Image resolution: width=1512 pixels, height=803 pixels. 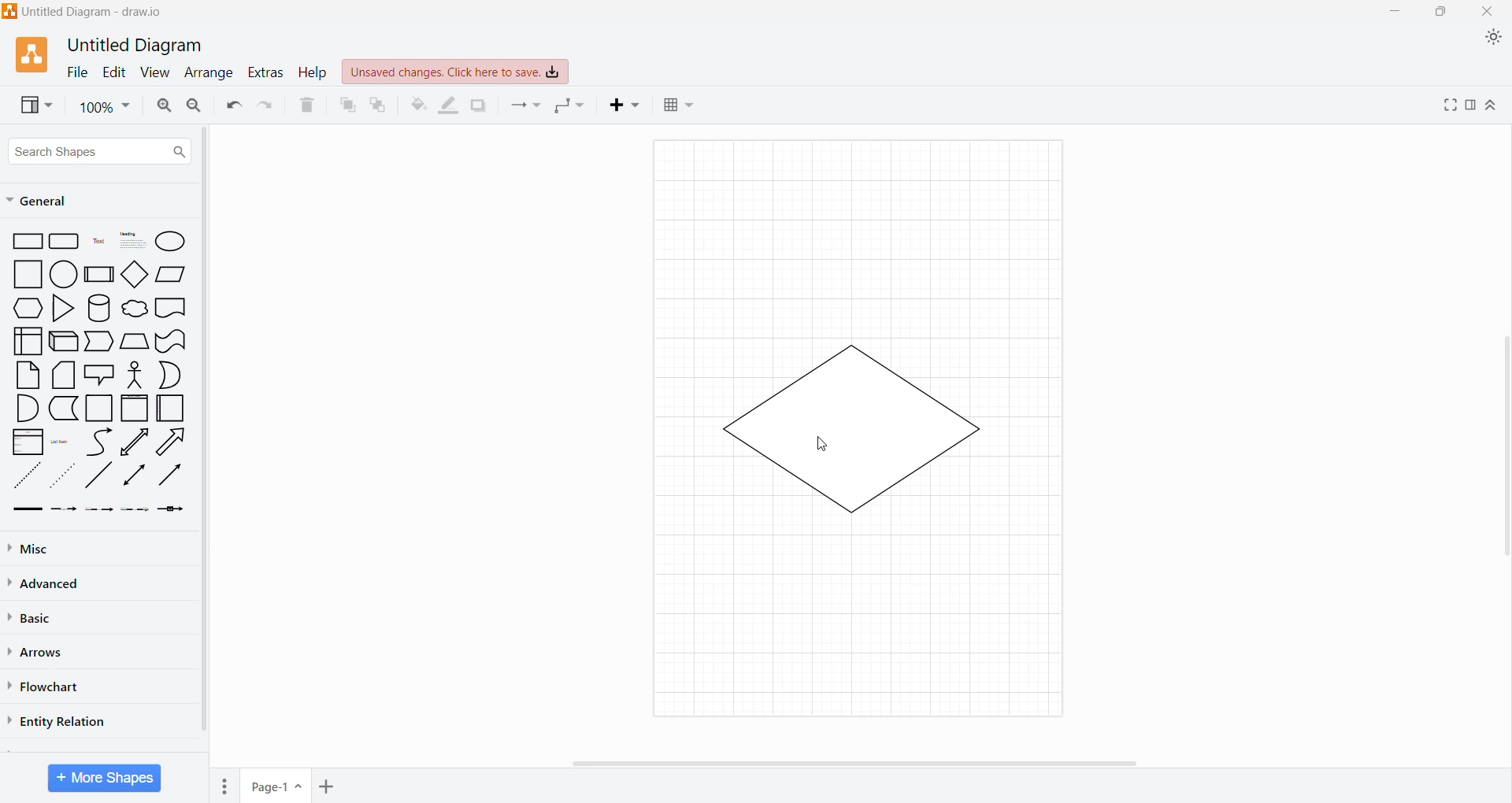 I want to click on Bidirectional Connector, so click(x=135, y=478).